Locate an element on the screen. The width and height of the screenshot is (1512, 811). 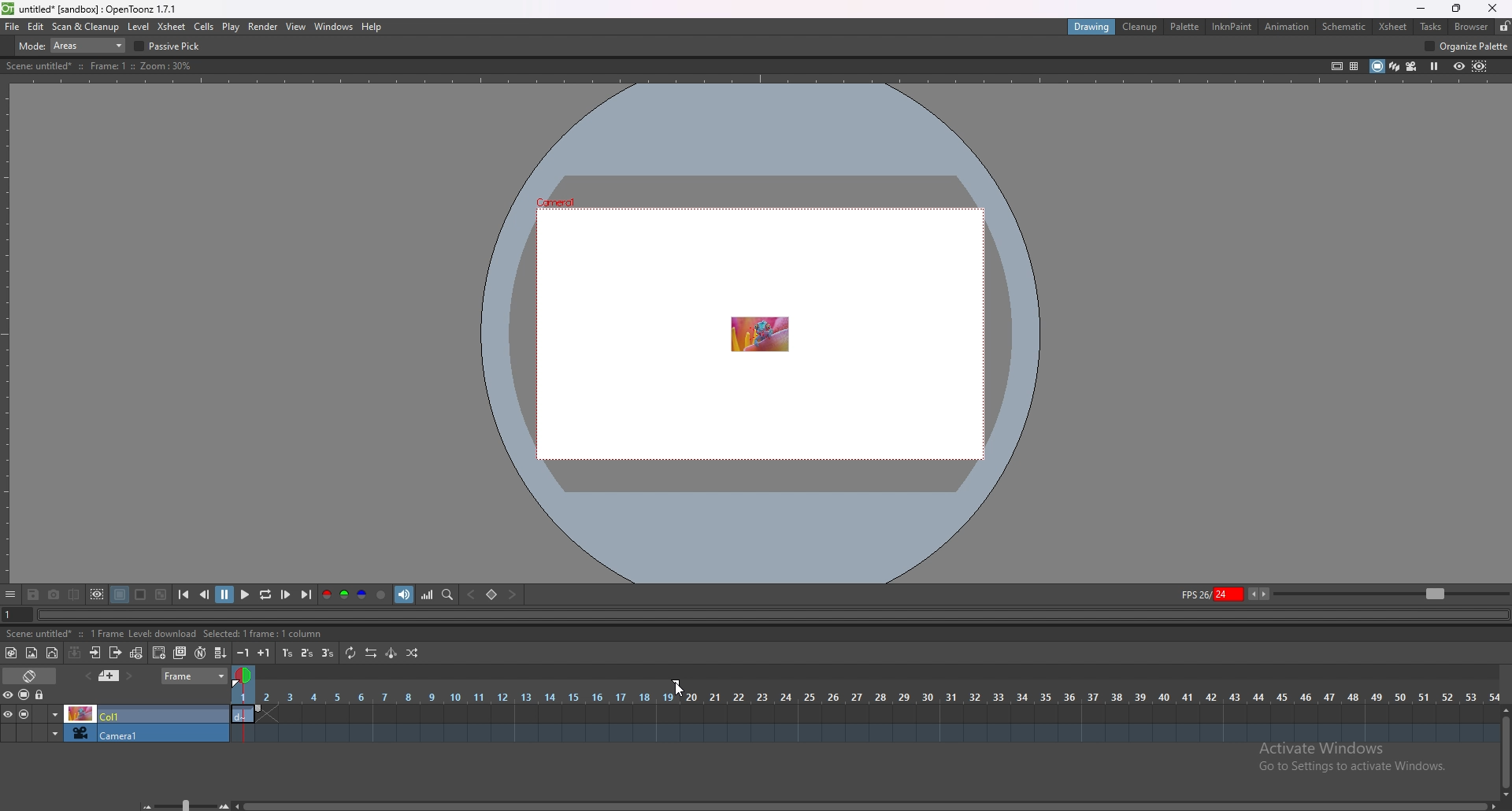
define sub camera is located at coordinates (98, 594).